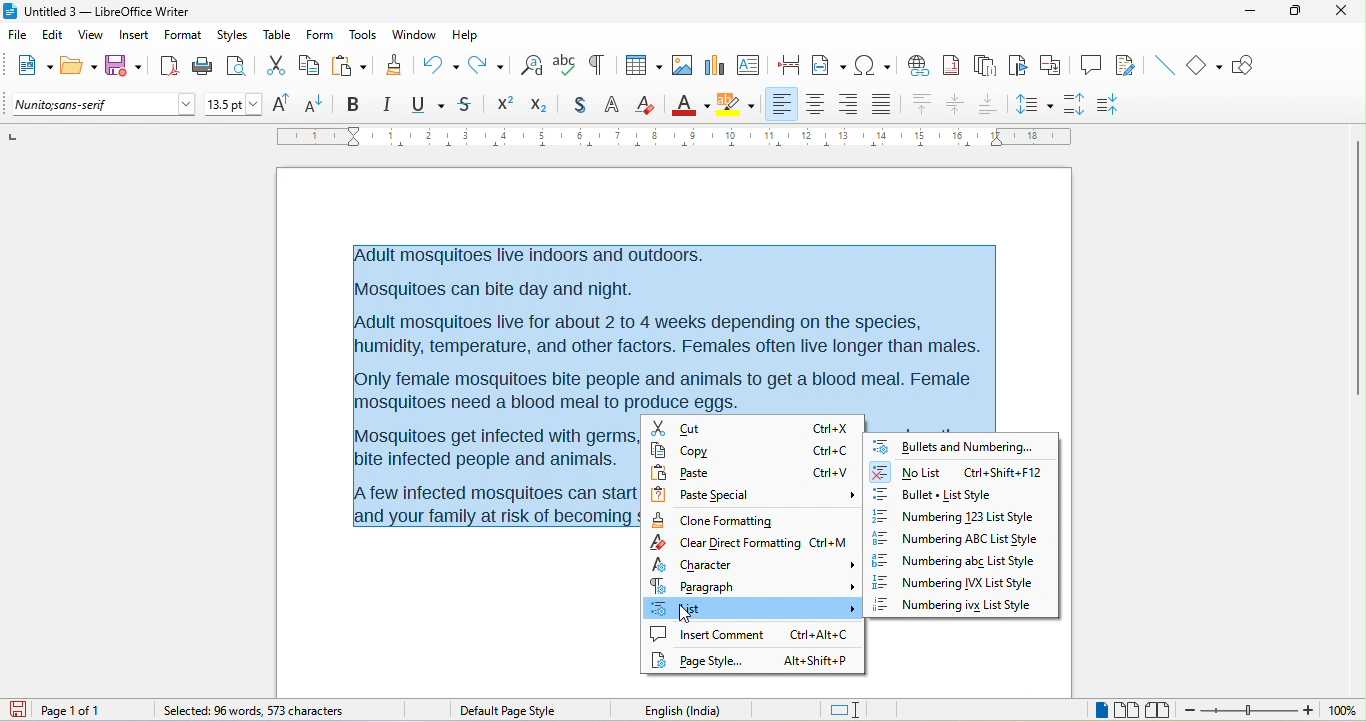 This screenshot has height=722, width=1366. Describe the element at coordinates (312, 65) in the screenshot. I see `copy` at that location.